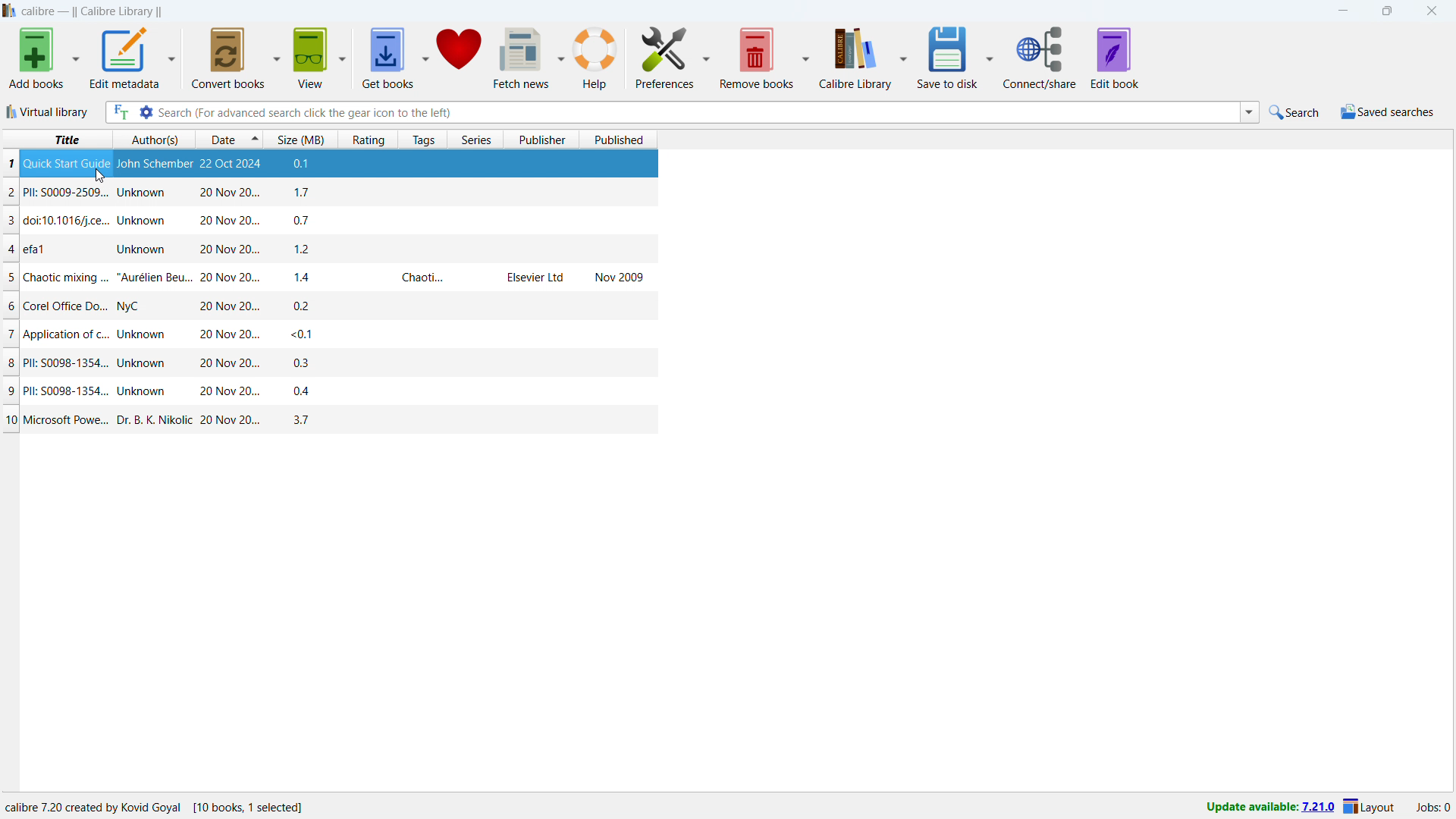  Describe the element at coordinates (154, 139) in the screenshot. I see `sort by authors` at that location.